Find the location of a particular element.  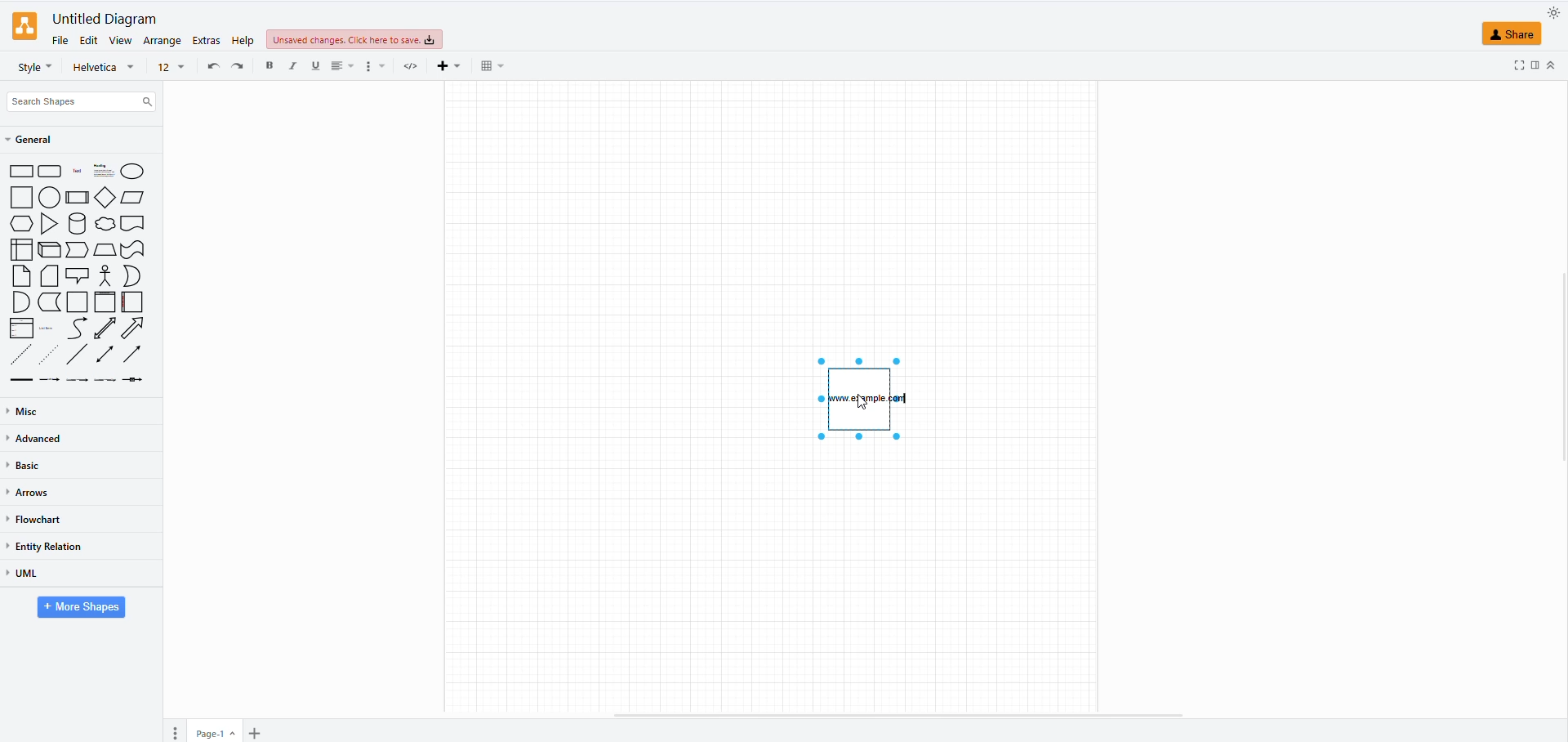

style is located at coordinates (35, 67).